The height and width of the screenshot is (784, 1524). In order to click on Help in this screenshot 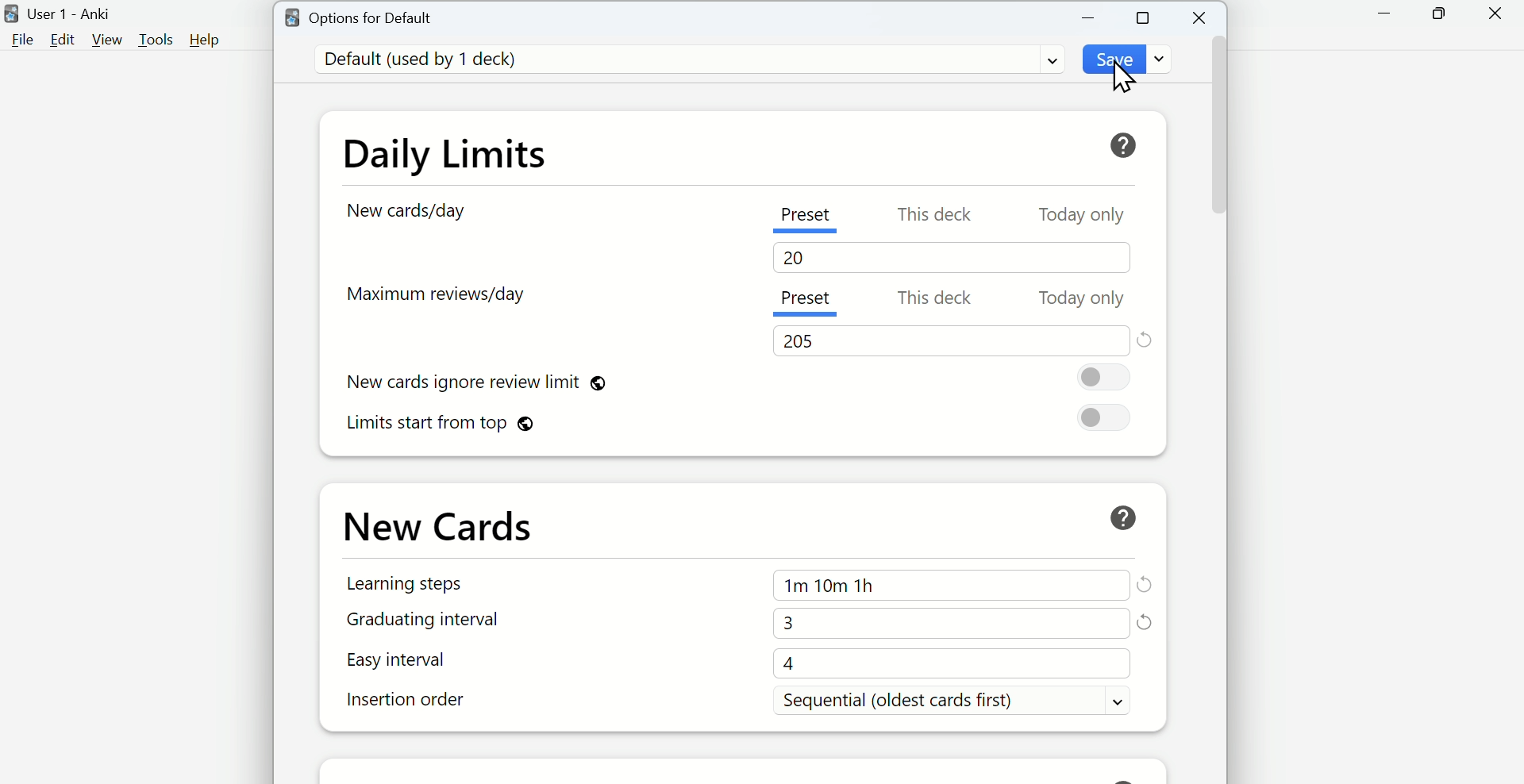, I will do `click(1122, 514)`.